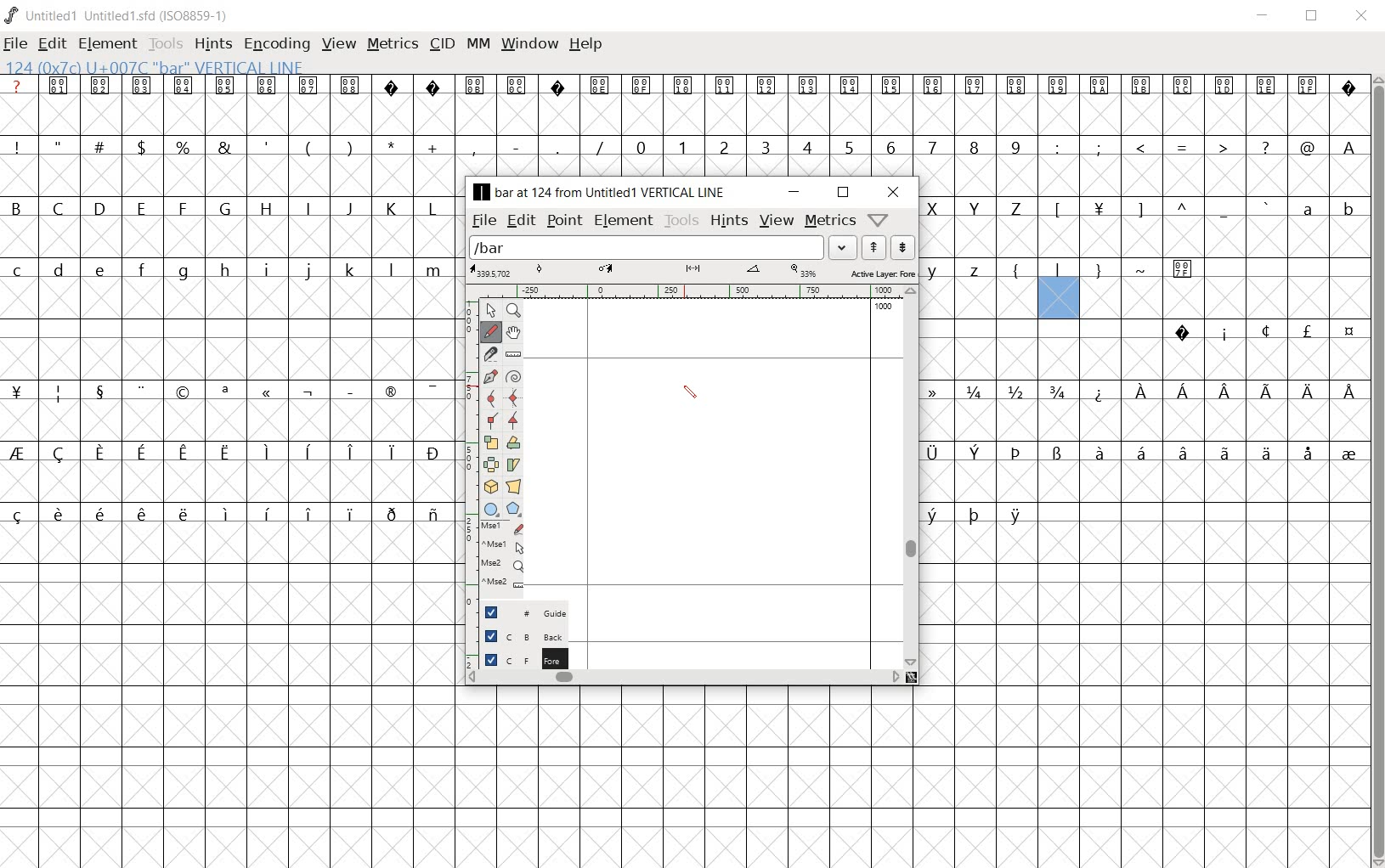  What do you see at coordinates (1377, 469) in the screenshot?
I see `scrollbar` at bounding box center [1377, 469].